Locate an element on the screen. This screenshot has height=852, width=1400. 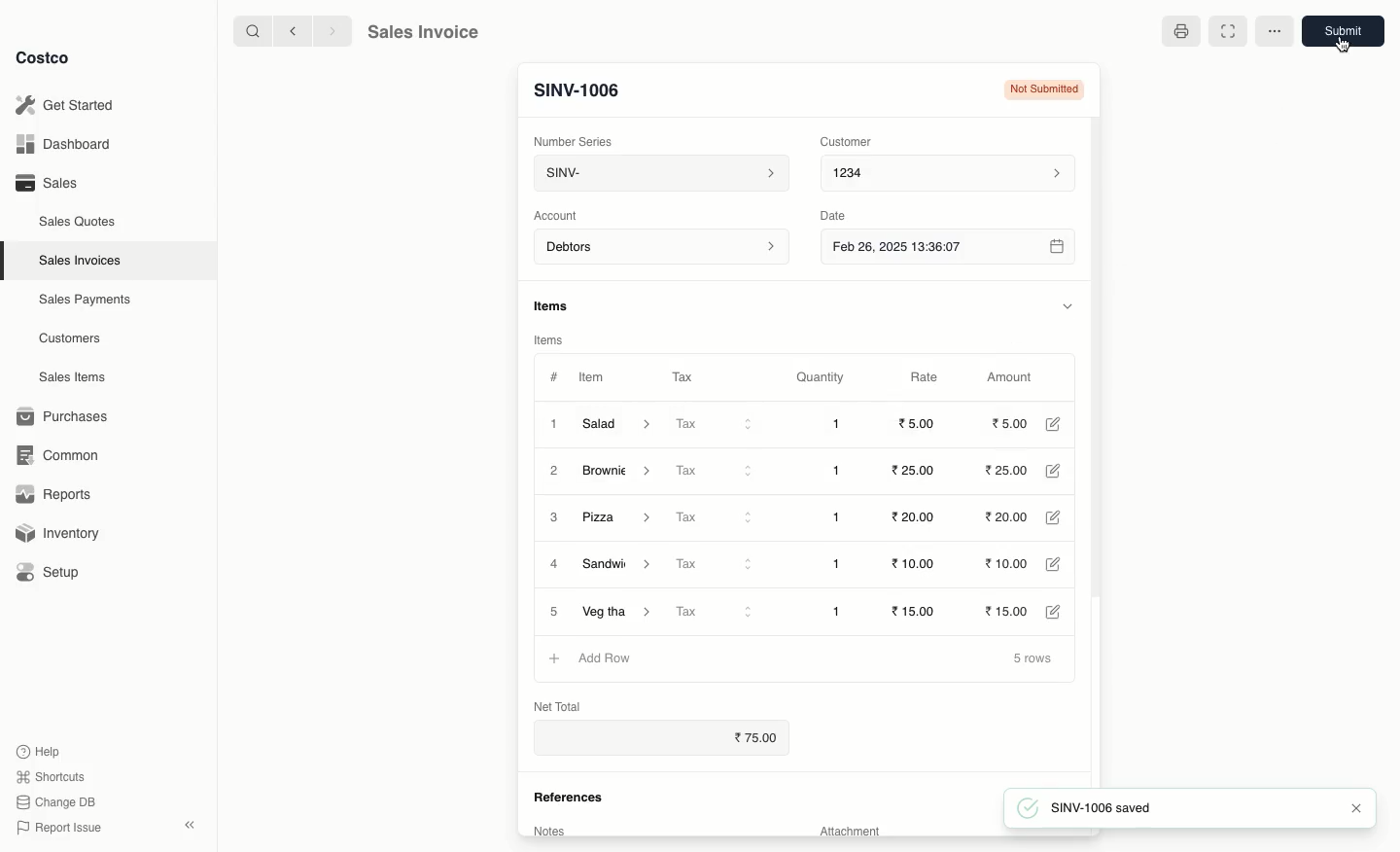
Tax is located at coordinates (716, 518).